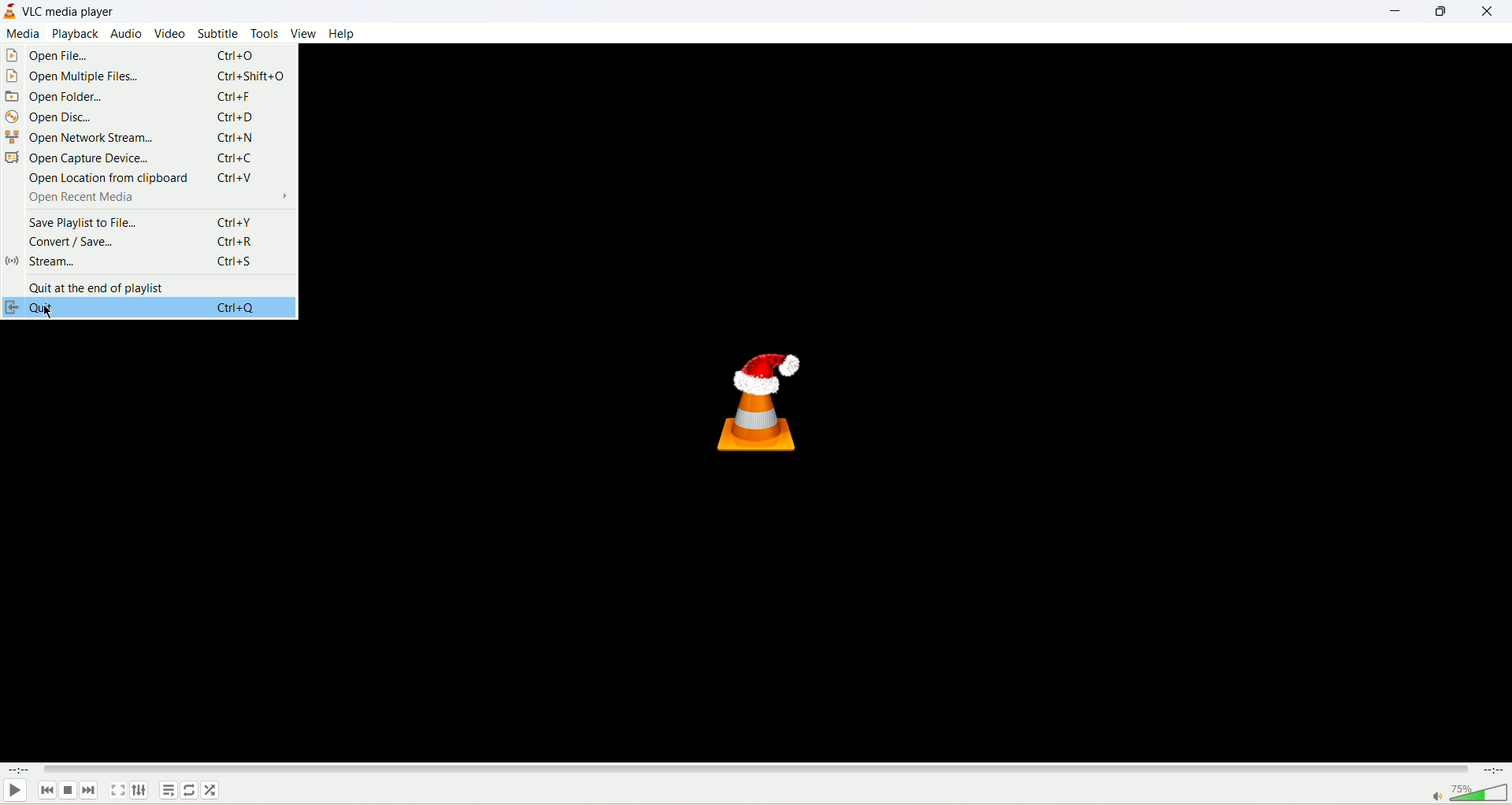  I want to click on VLC media player, so click(69, 11).